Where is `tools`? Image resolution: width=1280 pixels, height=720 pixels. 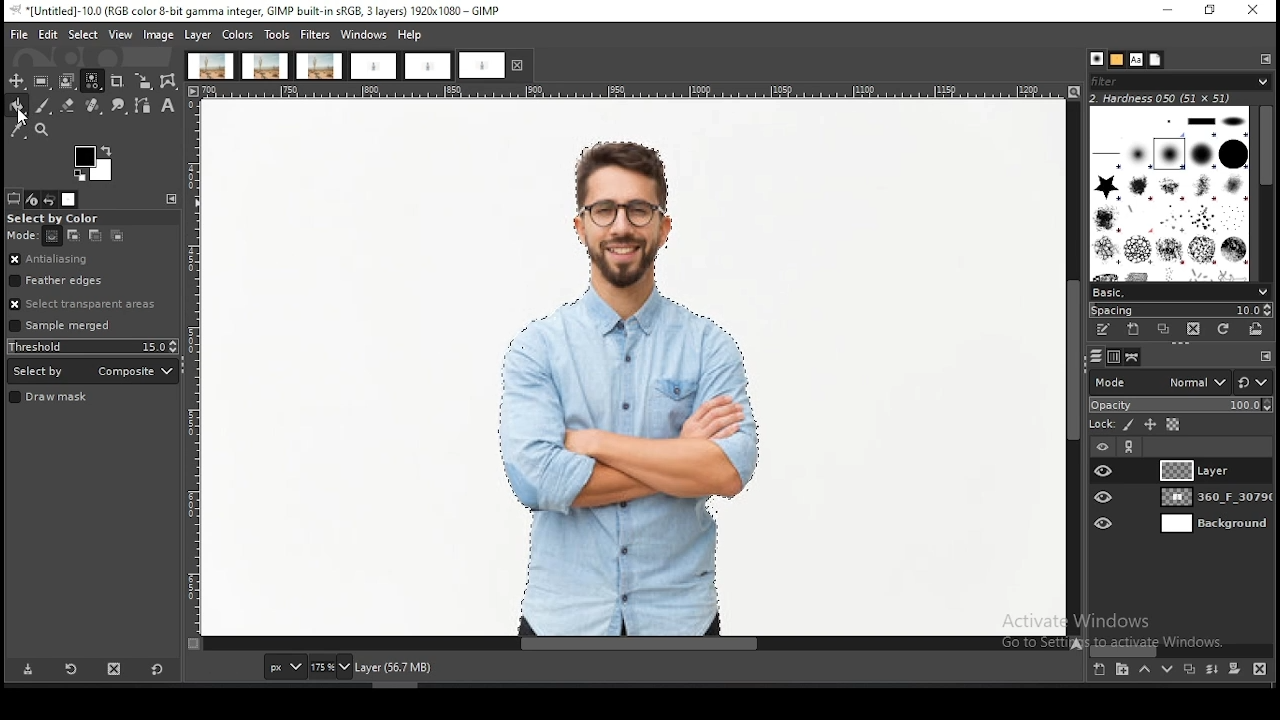 tools is located at coordinates (277, 36).